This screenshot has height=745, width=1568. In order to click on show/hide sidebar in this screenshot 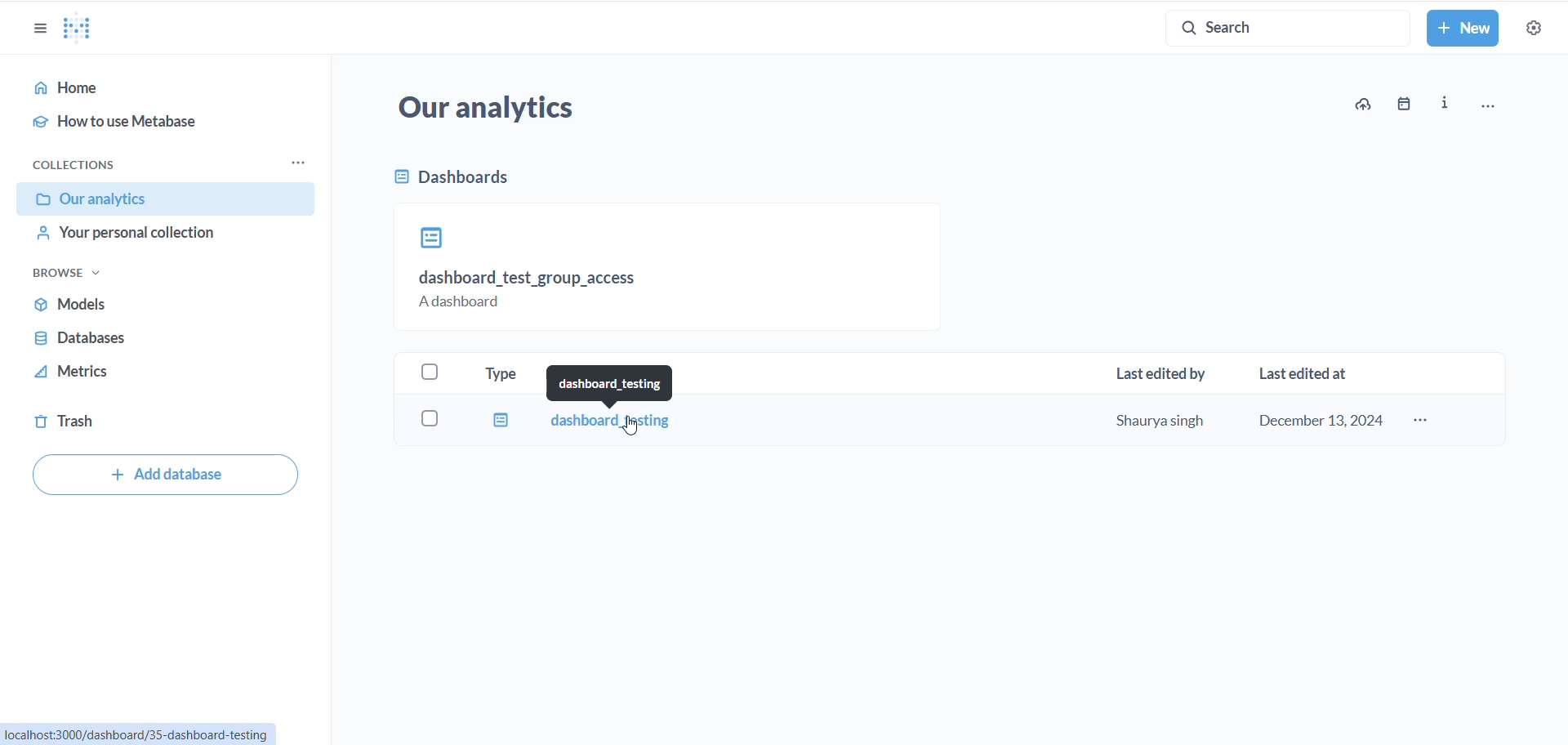, I will do `click(42, 31)`.